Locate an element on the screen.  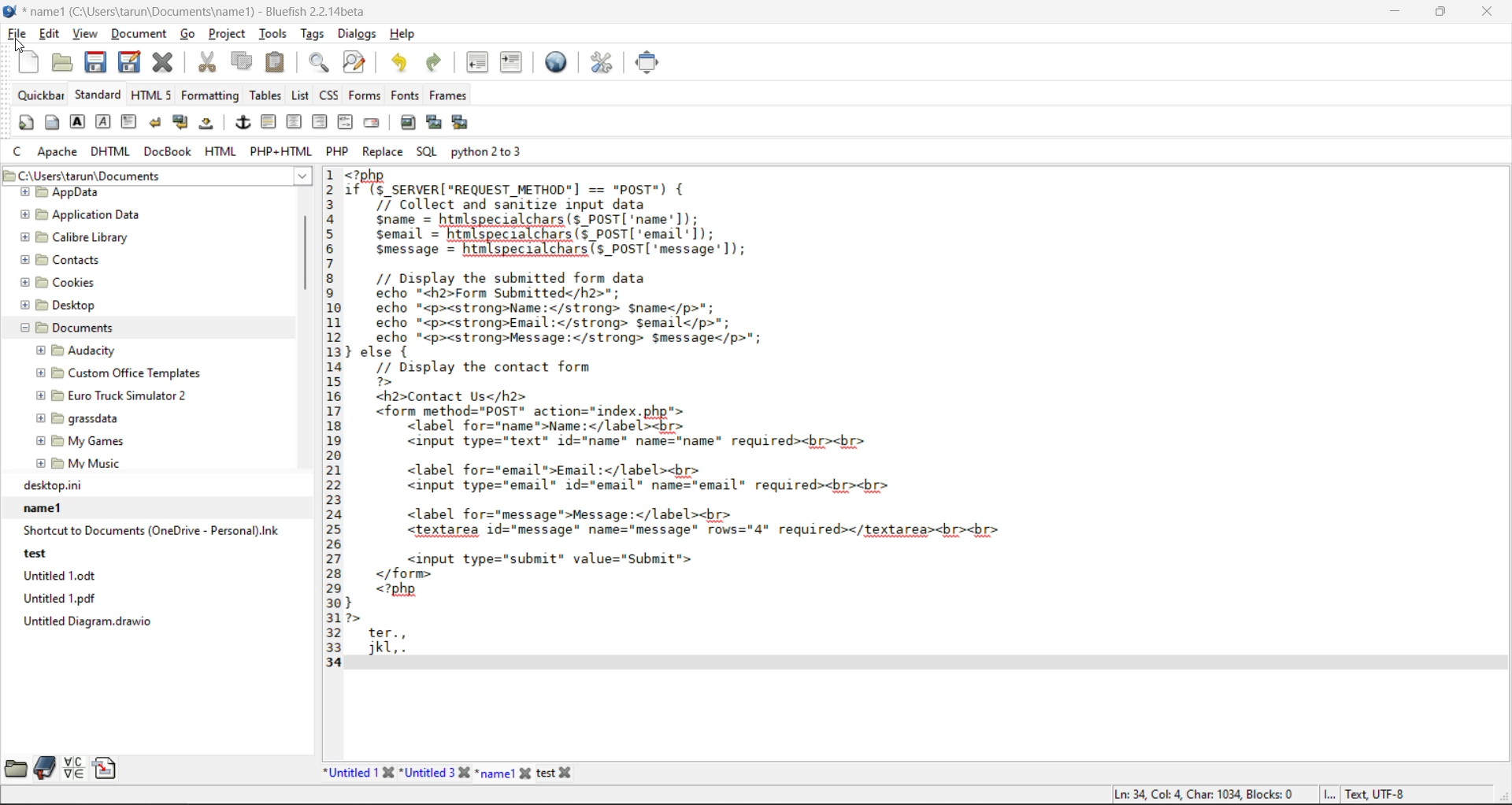
fonts  is located at coordinates (404, 95).